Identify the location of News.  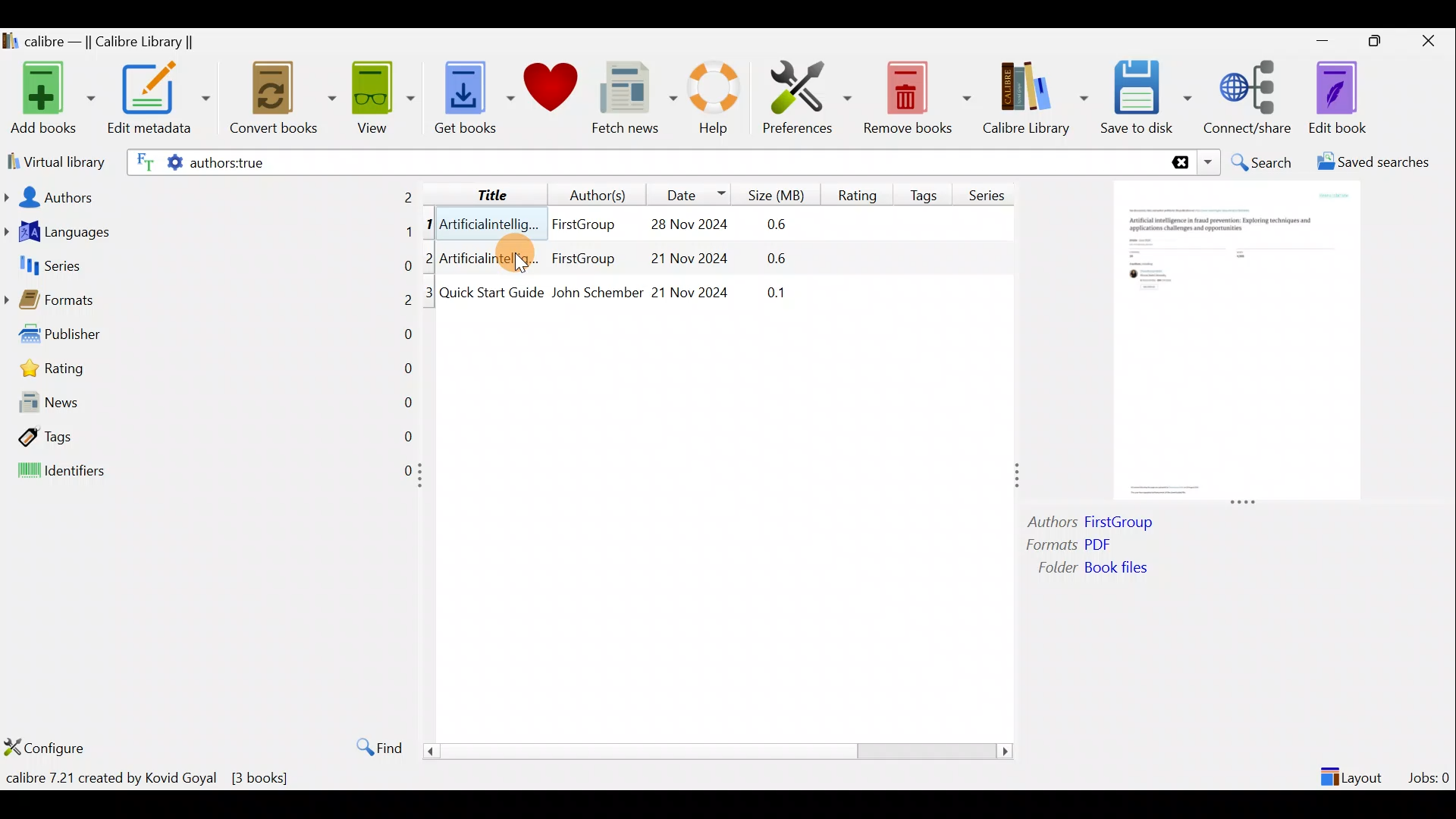
(209, 406).